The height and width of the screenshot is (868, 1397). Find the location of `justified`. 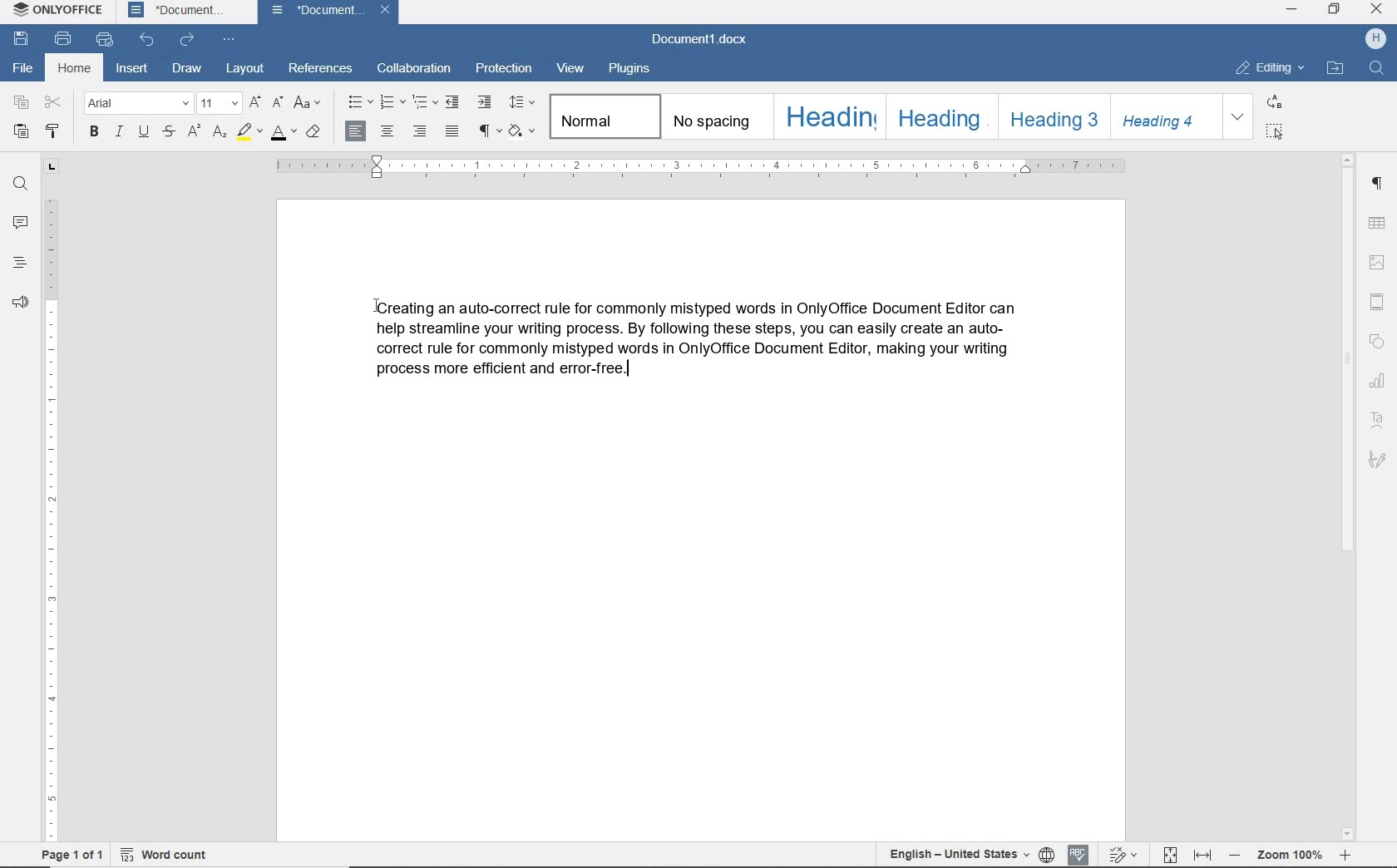

justified is located at coordinates (452, 131).